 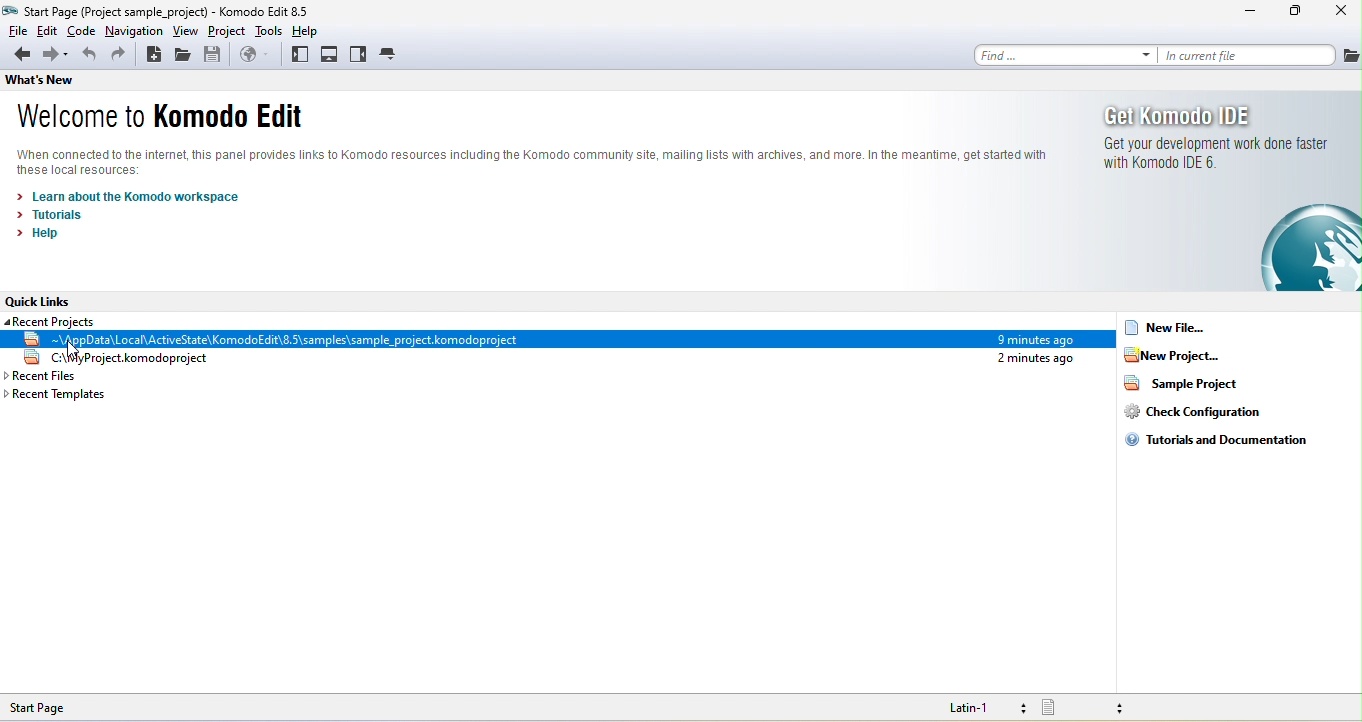 What do you see at coordinates (139, 31) in the screenshot?
I see `navigation` at bounding box center [139, 31].